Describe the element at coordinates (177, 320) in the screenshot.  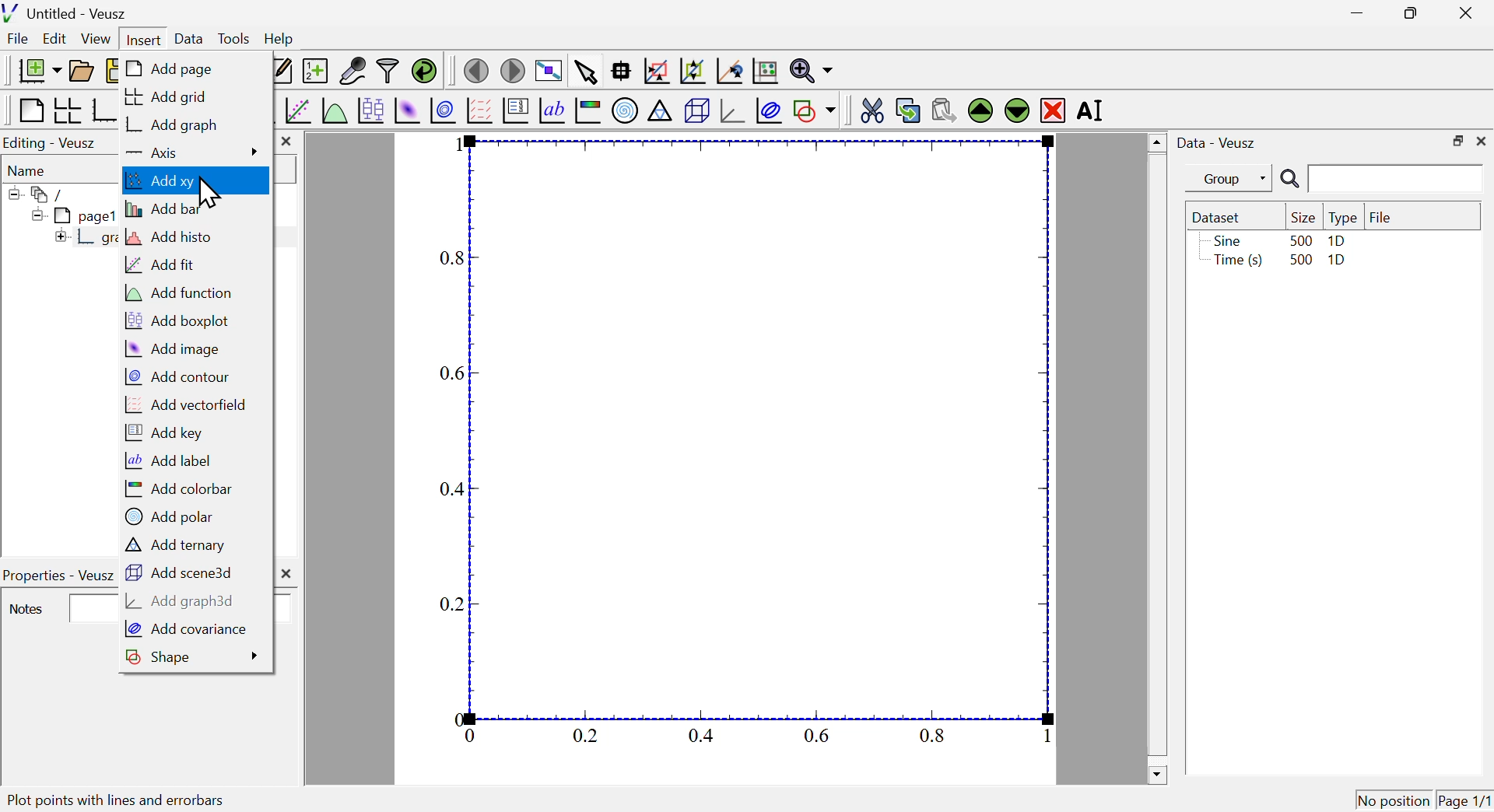
I see `add boxplot` at that location.